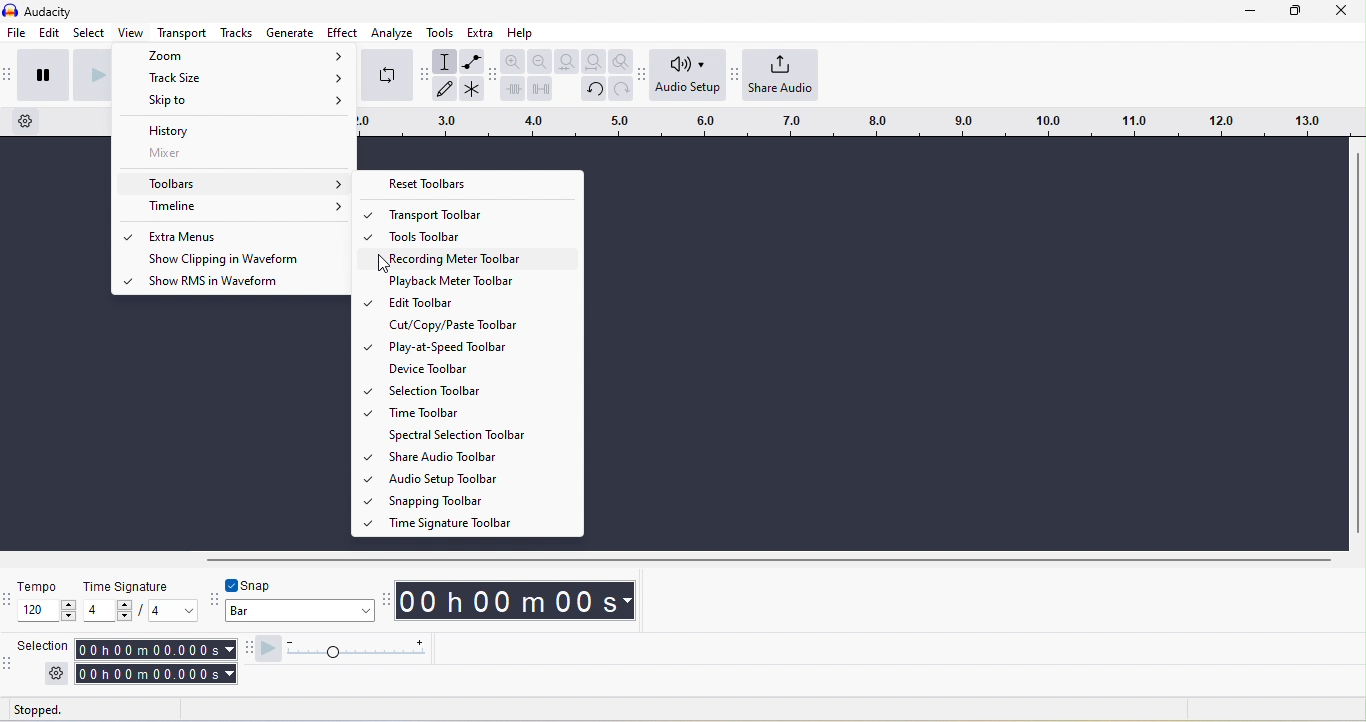  Describe the element at coordinates (424, 74) in the screenshot. I see `audacity tools toolbar` at that location.